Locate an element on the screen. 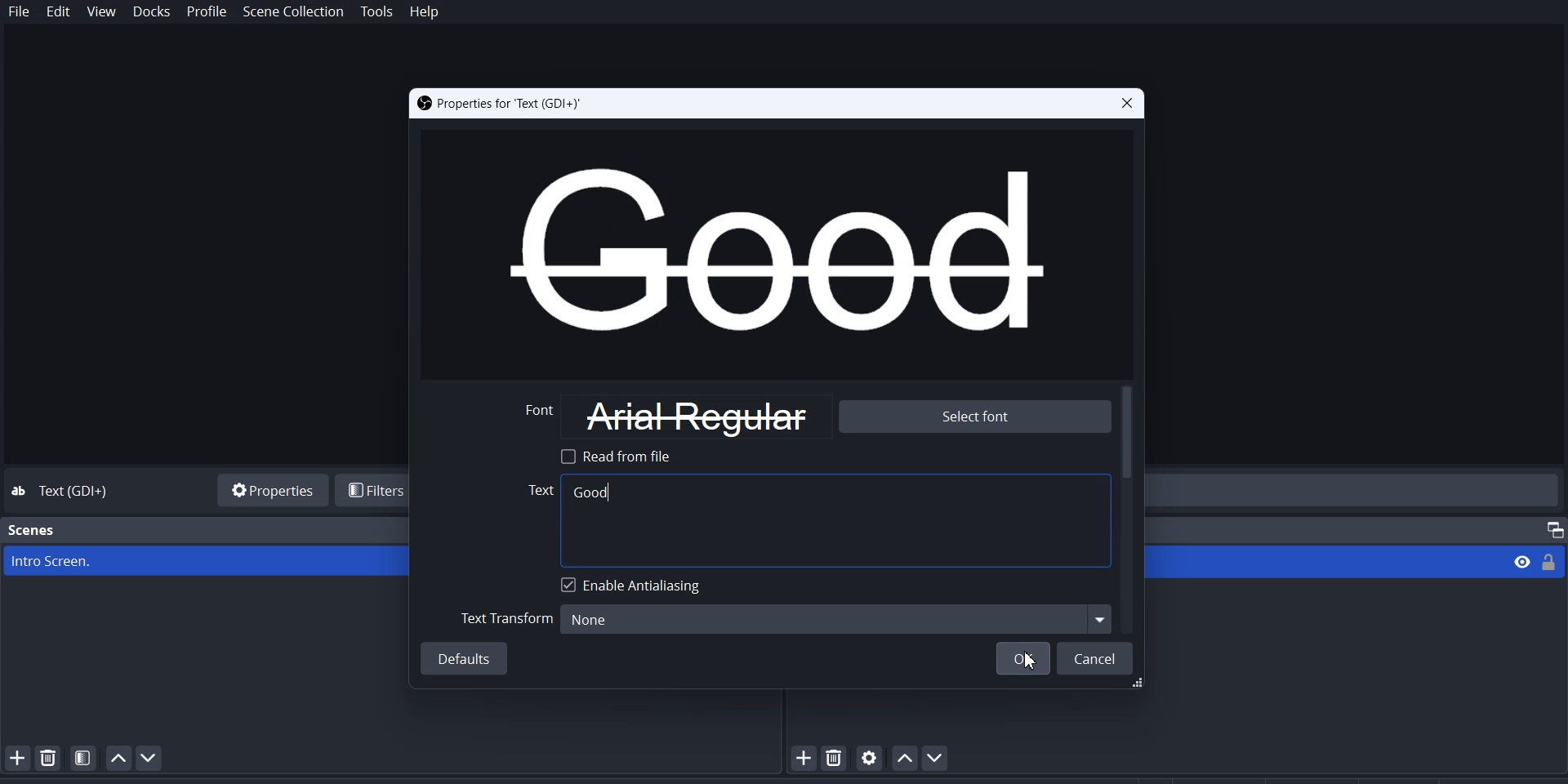 The image size is (1568, 784). Add Text is located at coordinates (865, 516).